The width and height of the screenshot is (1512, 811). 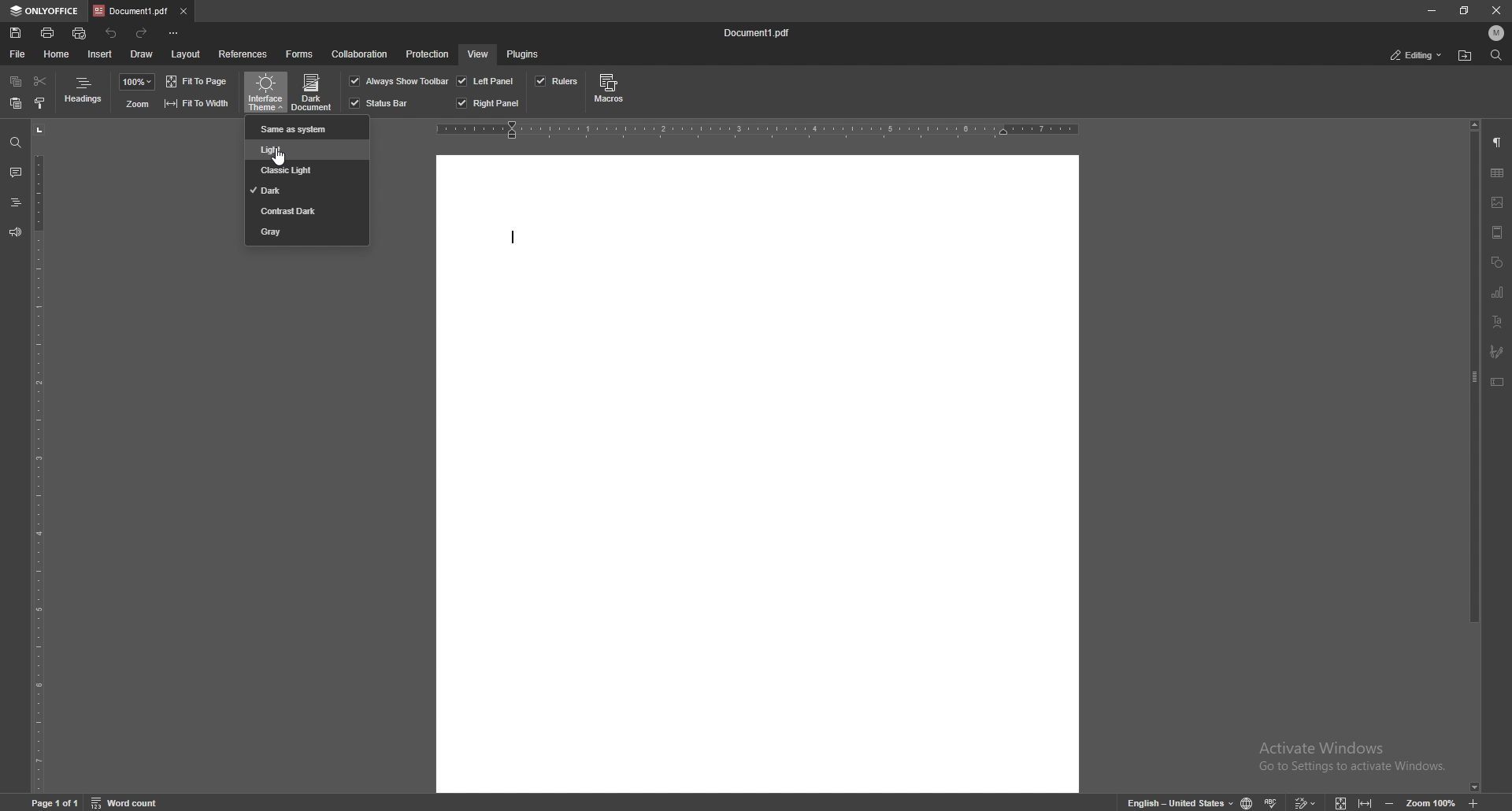 I want to click on view, so click(x=476, y=55).